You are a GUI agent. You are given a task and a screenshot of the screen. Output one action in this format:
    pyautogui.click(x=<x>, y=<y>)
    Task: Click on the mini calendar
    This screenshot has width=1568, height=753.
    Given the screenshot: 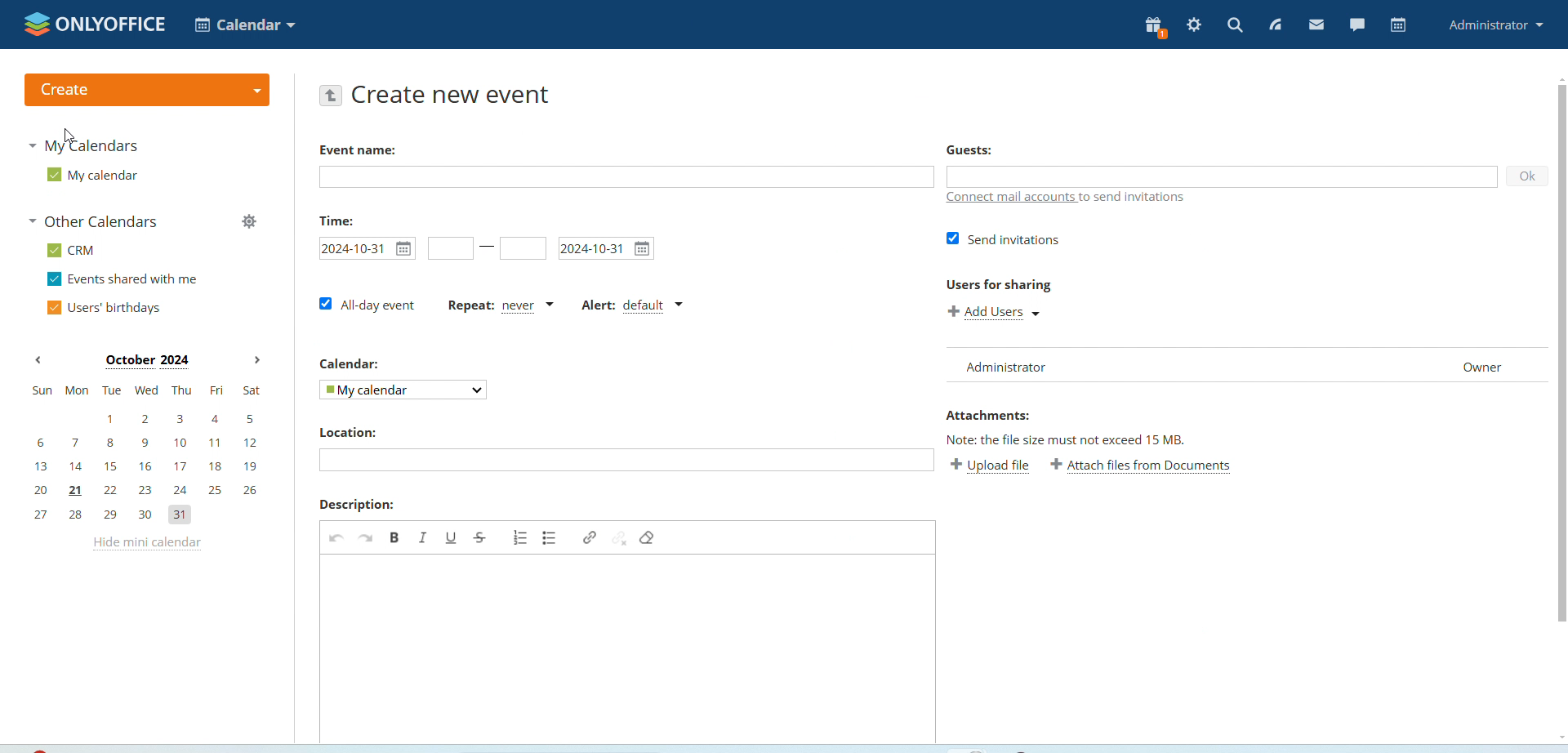 What is the action you would take?
    pyautogui.click(x=149, y=455)
    